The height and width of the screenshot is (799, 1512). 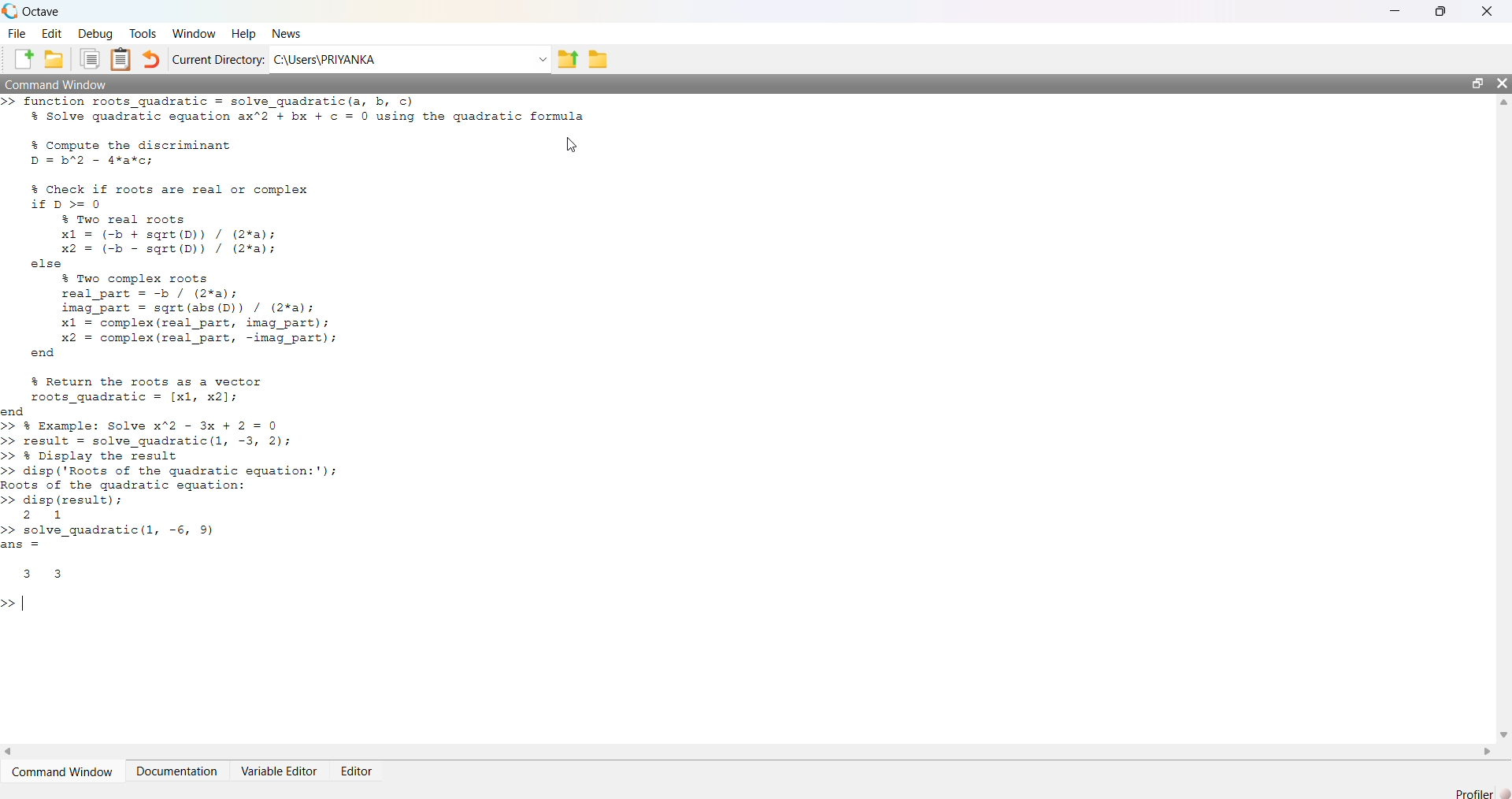 What do you see at coordinates (17, 32) in the screenshot?
I see `File` at bounding box center [17, 32].